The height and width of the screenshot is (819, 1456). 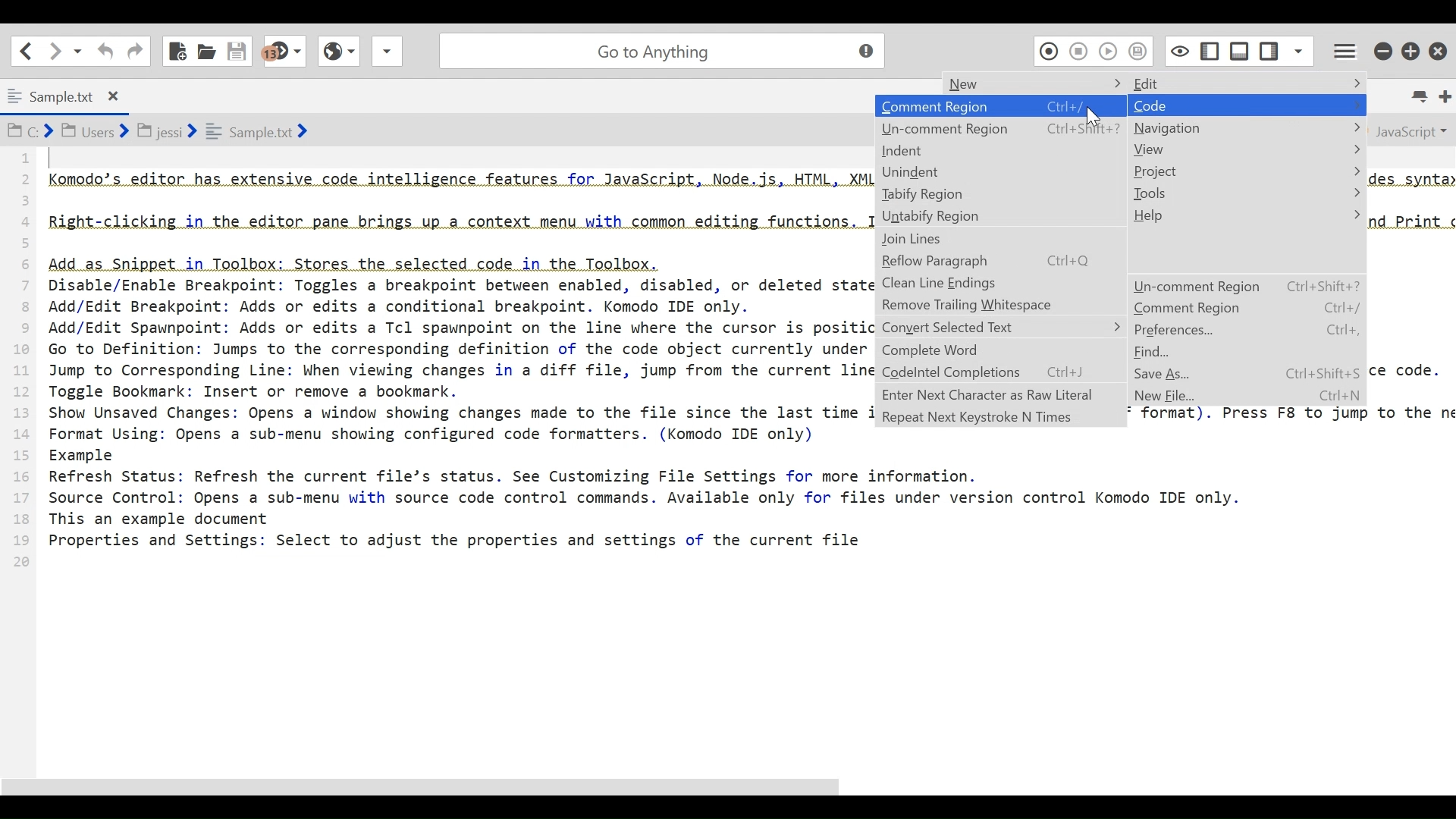 What do you see at coordinates (1048, 50) in the screenshot?
I see `Record Macro` at bounding box center [1048, 50].